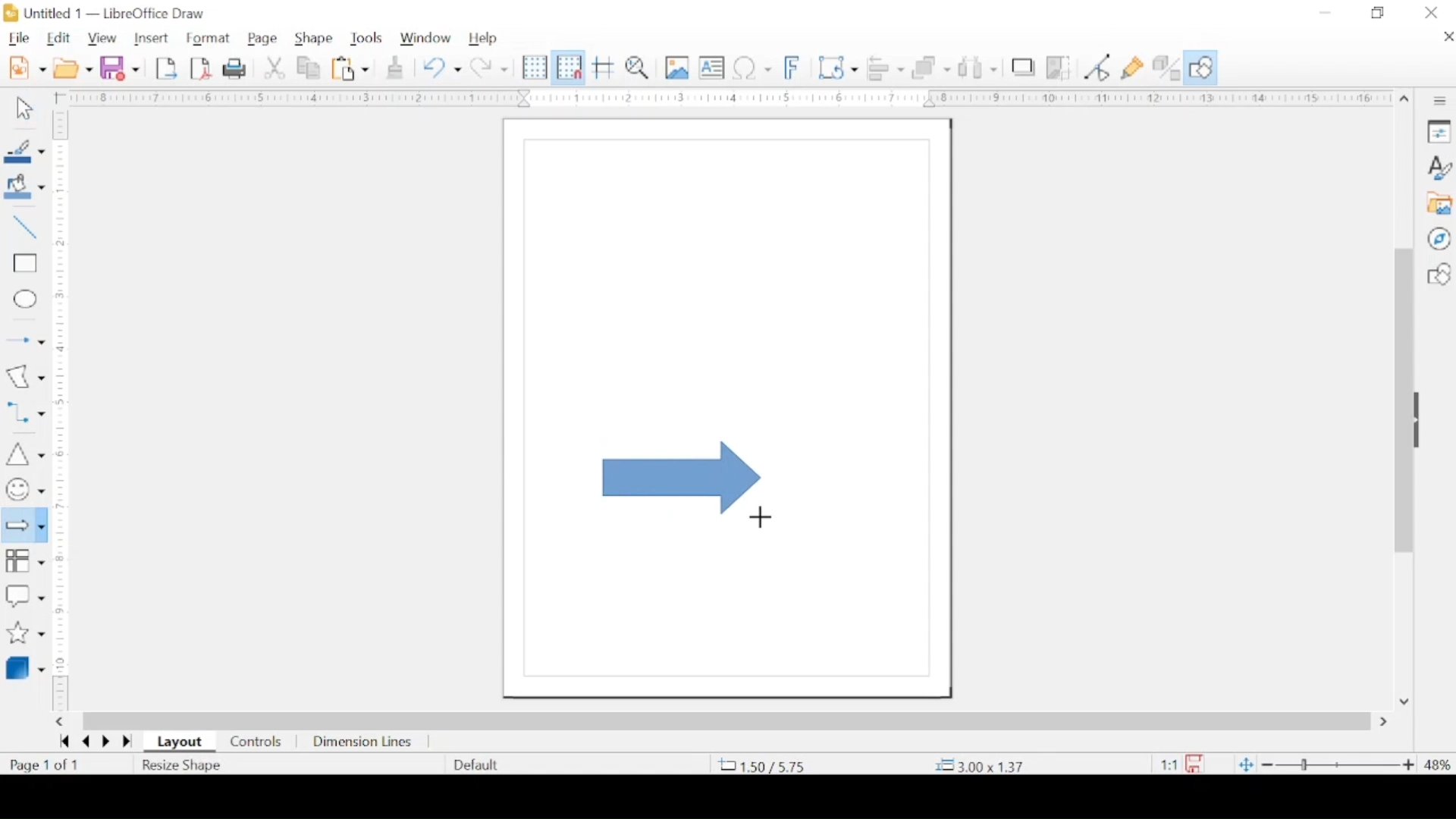 The height and width of the screenshot is (819, 1456). I want to click on shadow, so click(1023, 65).